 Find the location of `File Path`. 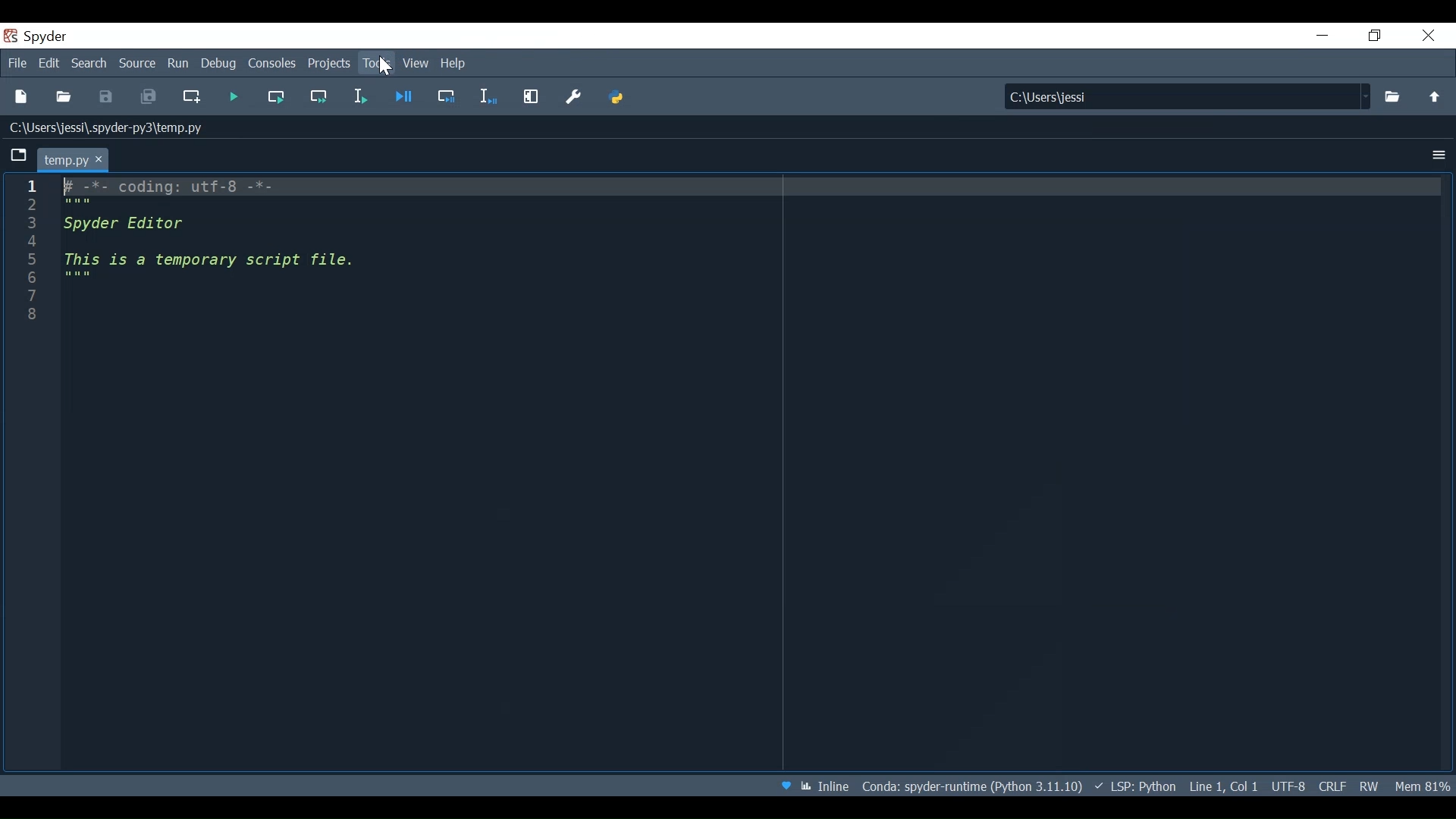

File Path is located at coordinates (111, 128).